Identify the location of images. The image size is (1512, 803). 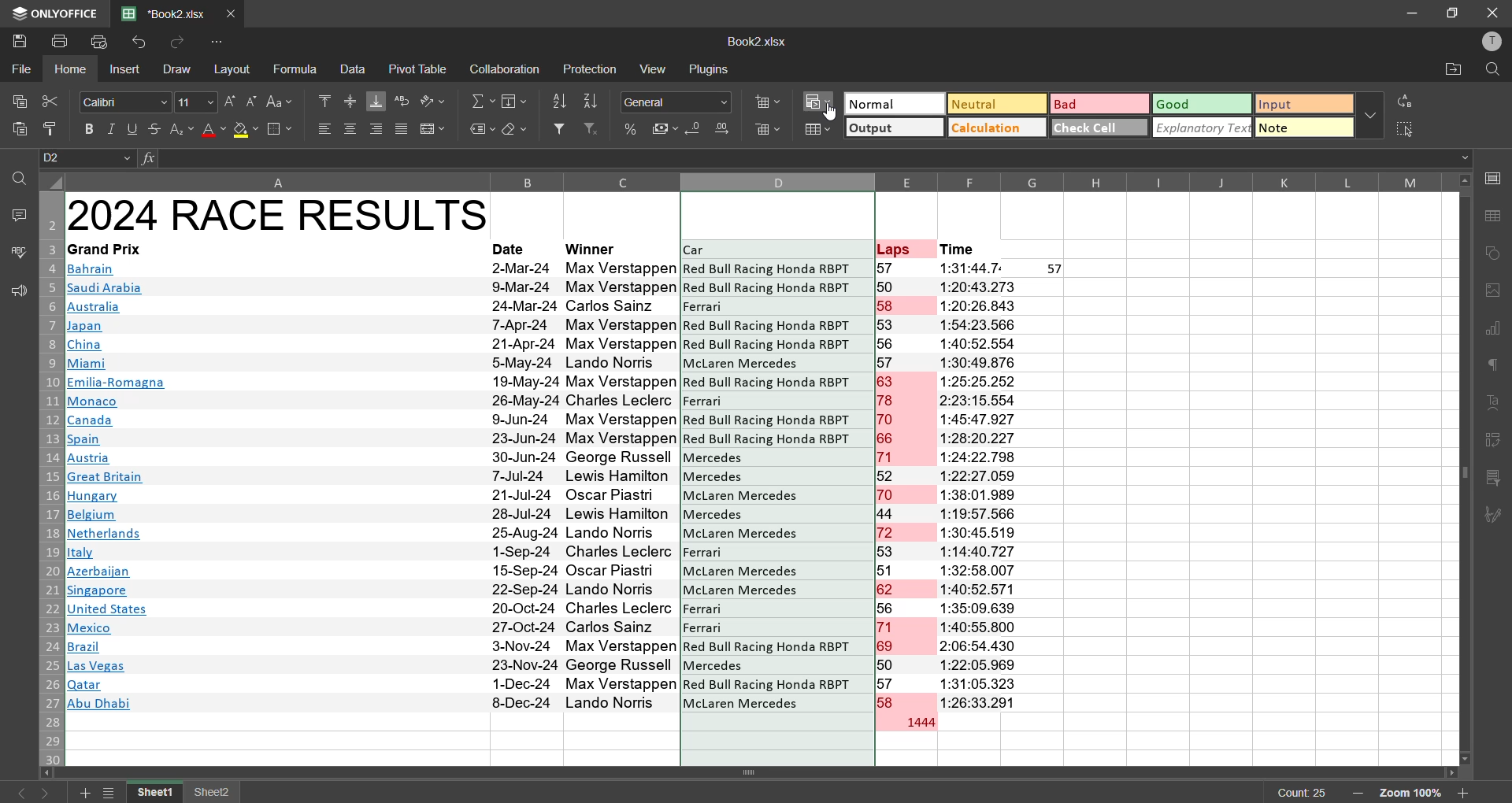
(1494, 290).